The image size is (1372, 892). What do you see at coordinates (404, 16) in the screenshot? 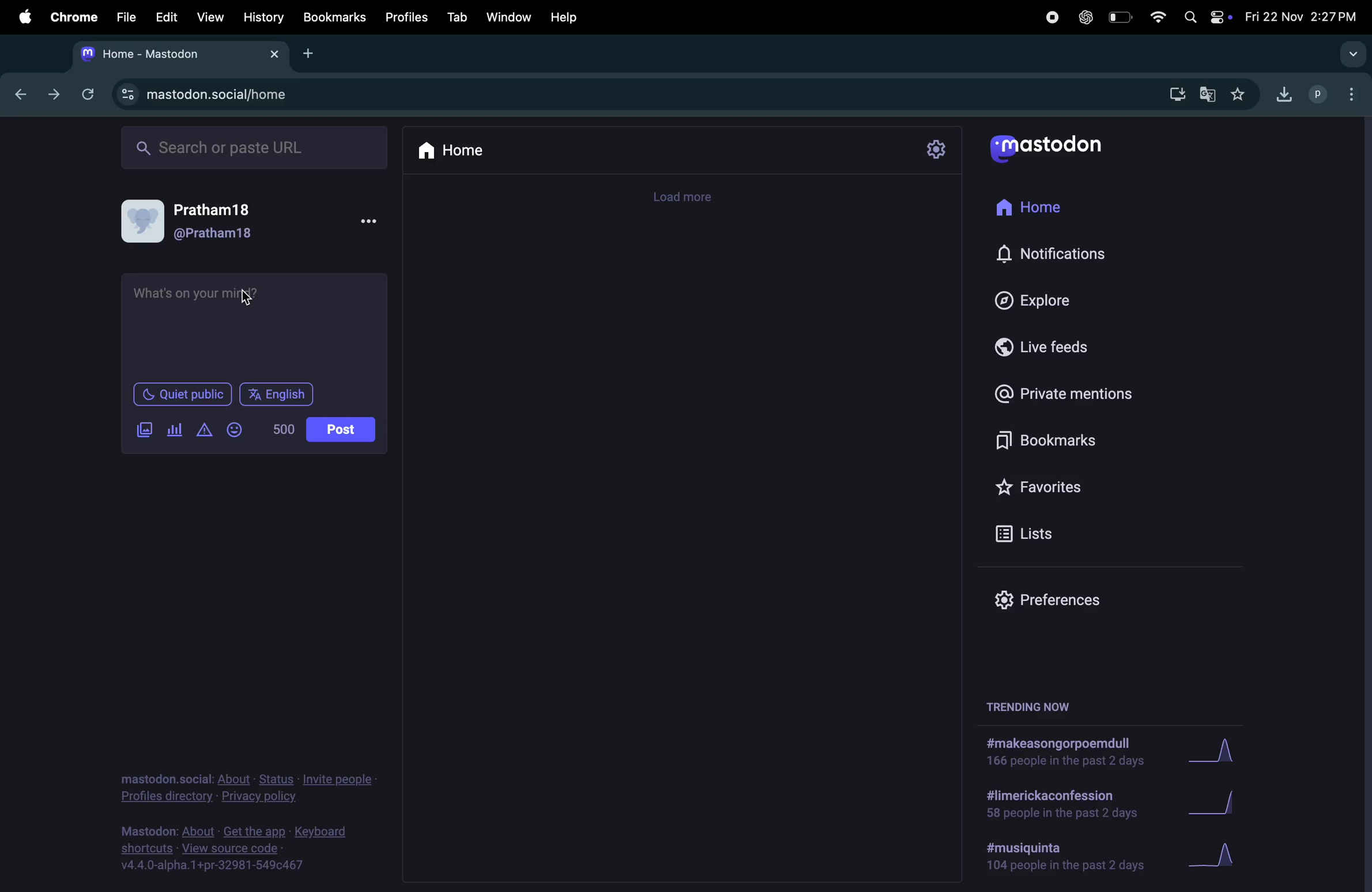
I see `profiles` at bounding box center [404, 16].